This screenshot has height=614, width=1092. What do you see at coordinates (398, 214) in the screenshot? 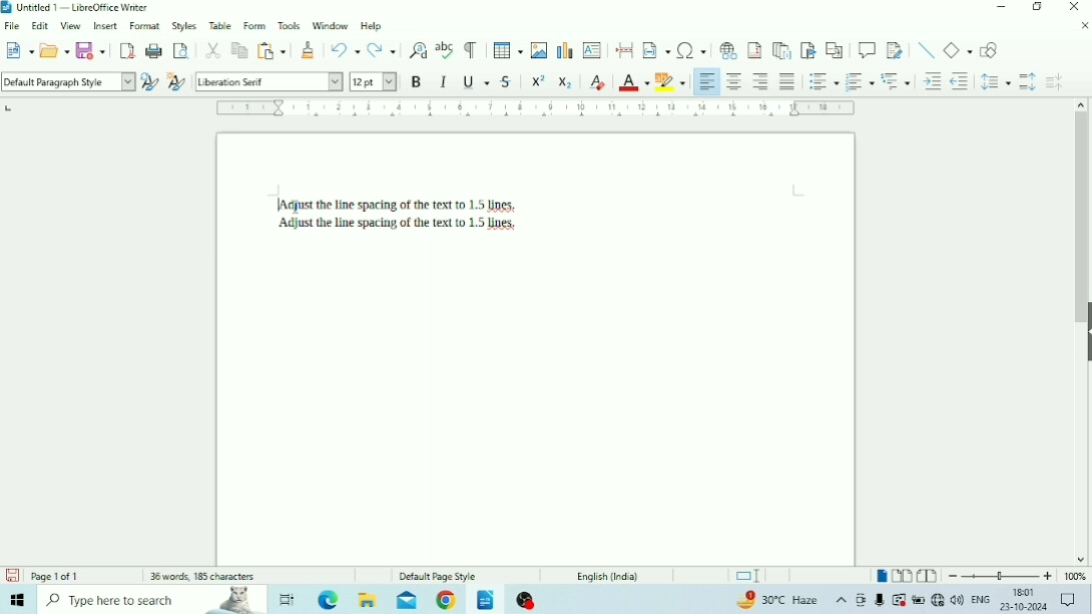
I see `Text` at bounding box center [398, 214].